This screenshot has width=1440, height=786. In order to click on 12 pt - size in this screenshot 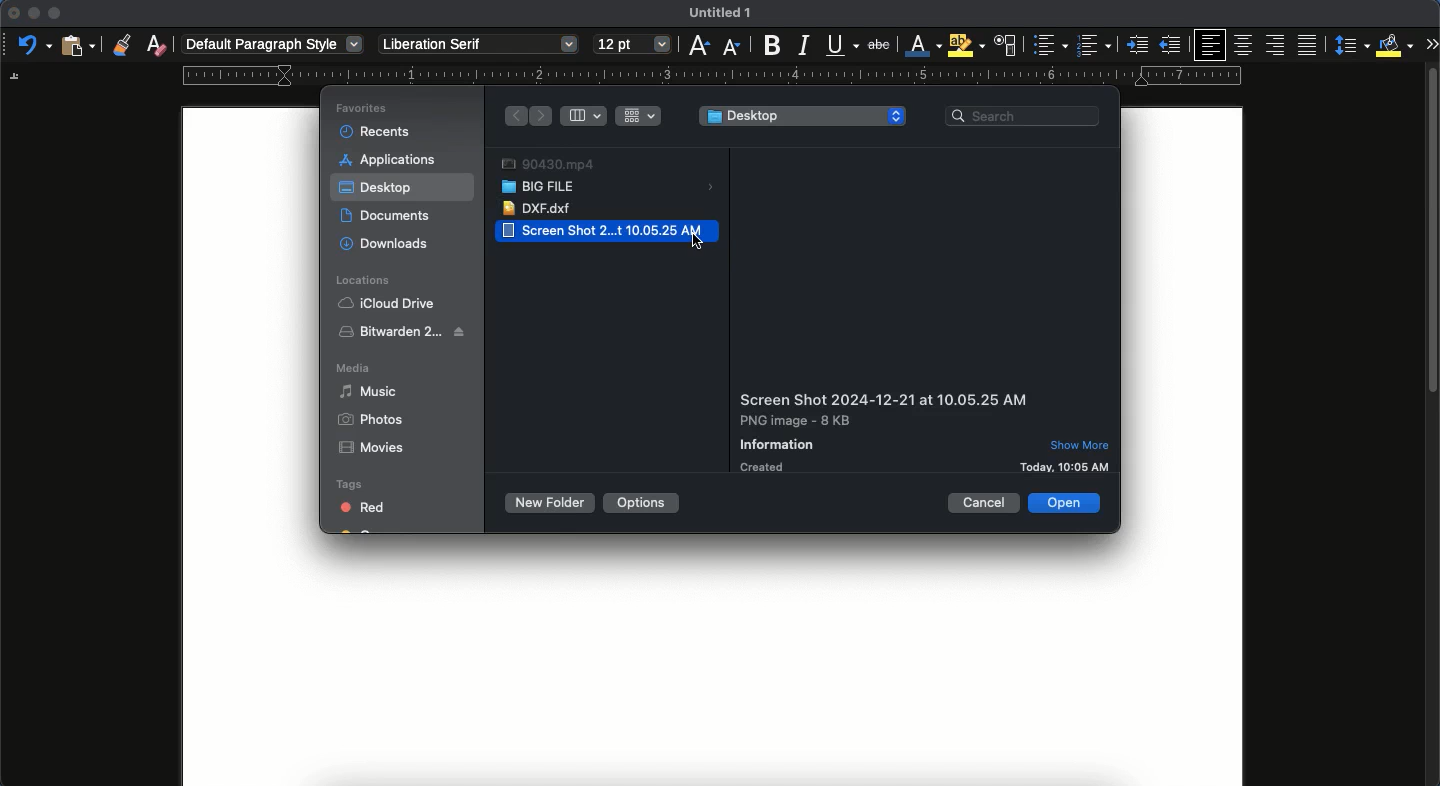, I will do `click(632, 46)`.